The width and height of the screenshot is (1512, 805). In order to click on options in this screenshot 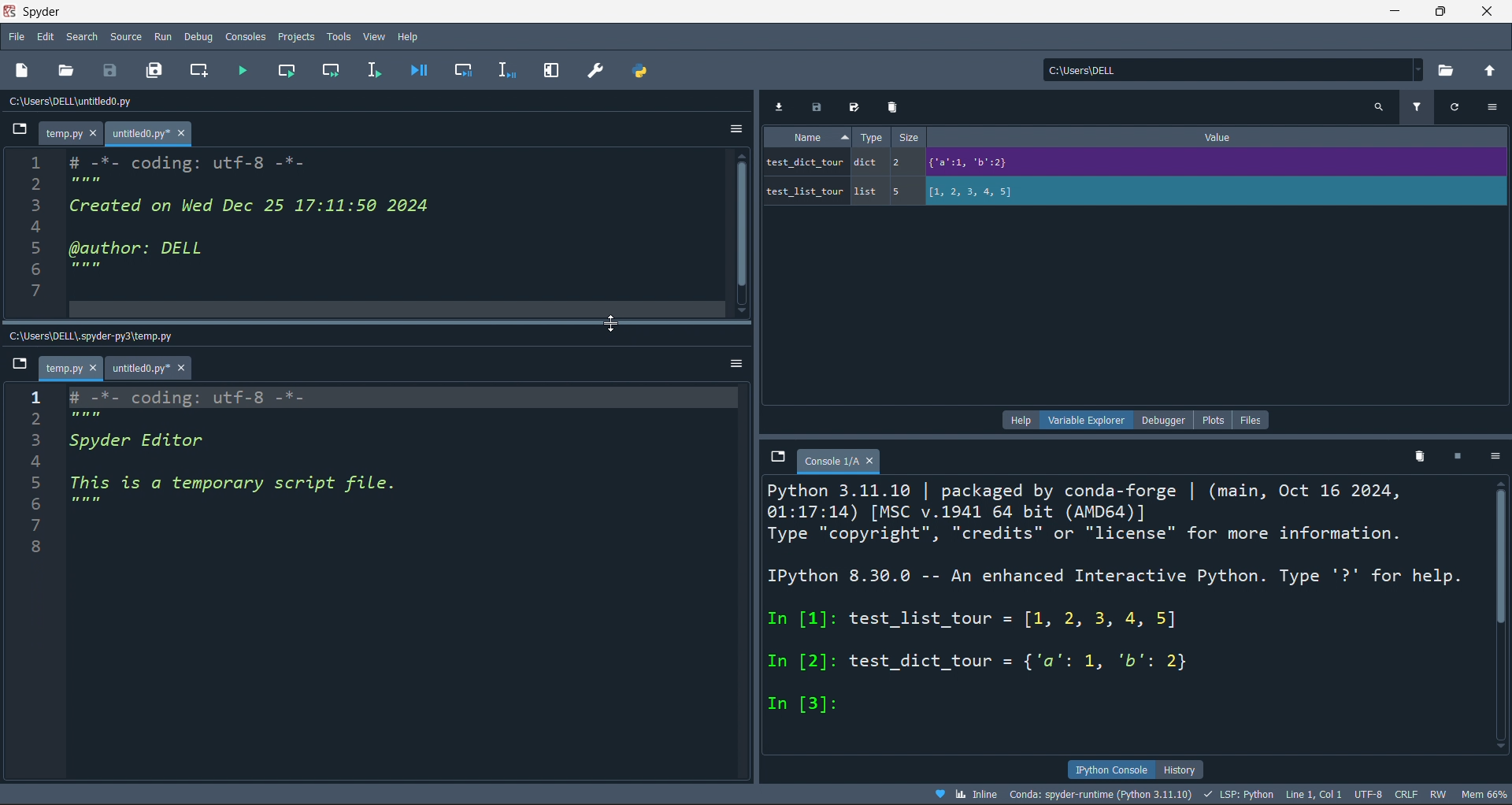, I will do `click(732, 126)`.